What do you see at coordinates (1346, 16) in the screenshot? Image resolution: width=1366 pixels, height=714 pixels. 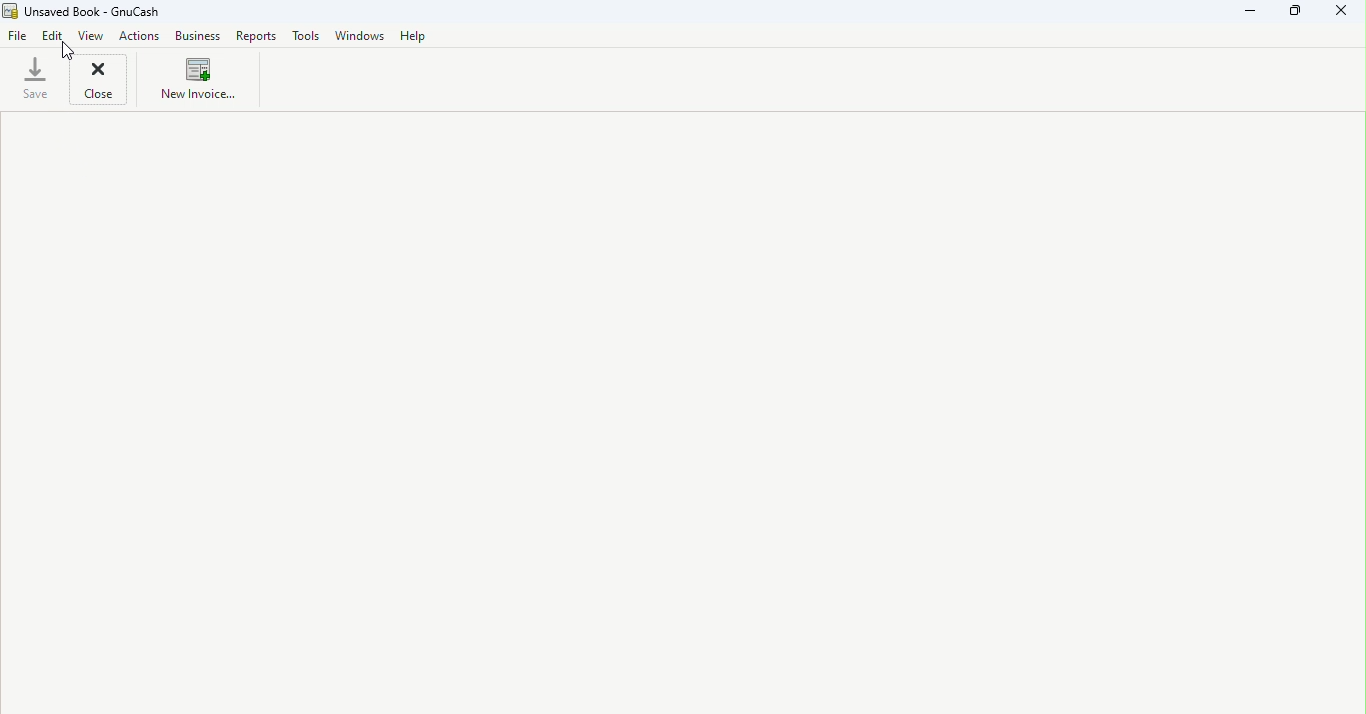 I see `Close` at bounding box center [1346, 16].